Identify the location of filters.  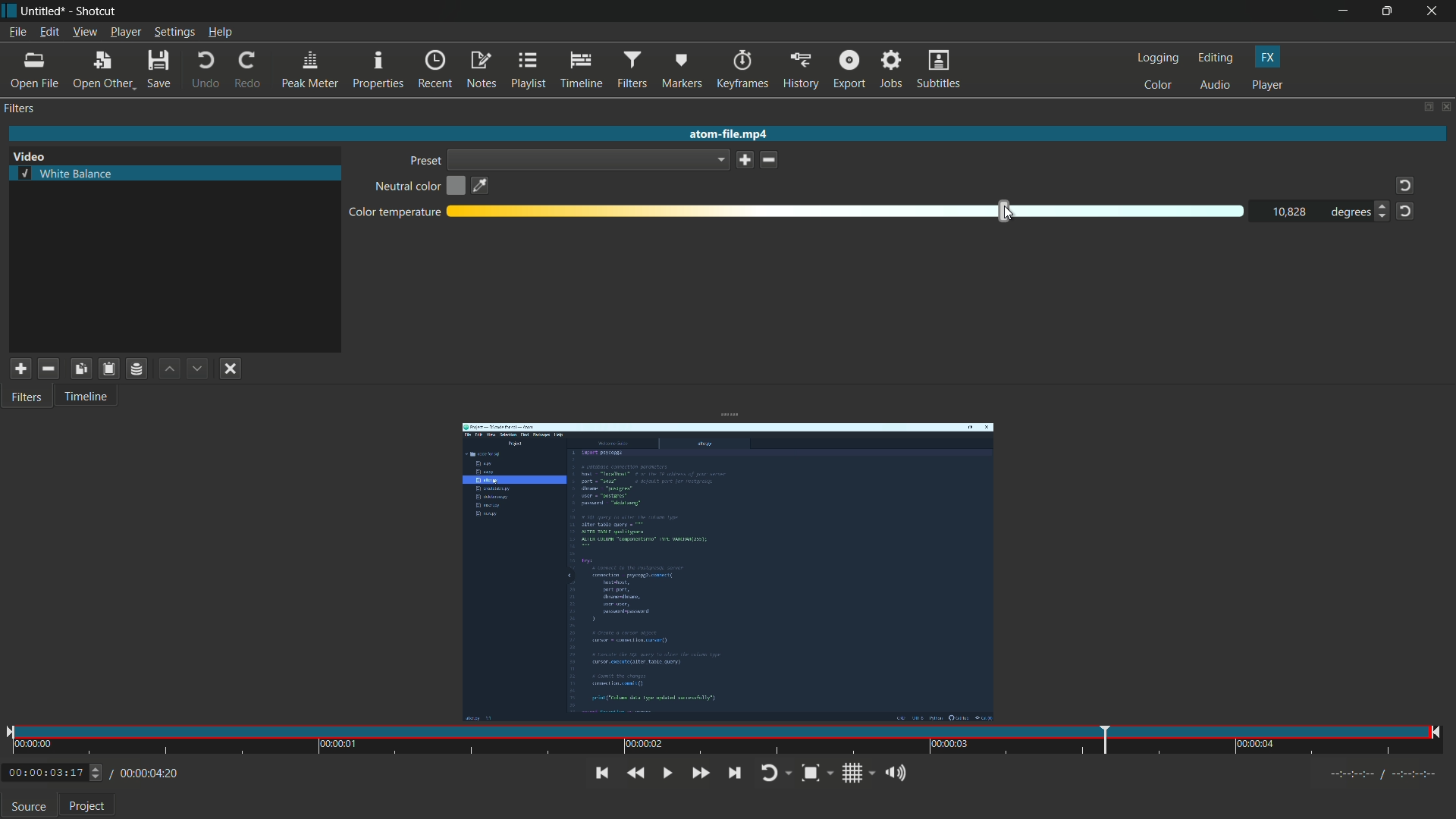
(21, 110).